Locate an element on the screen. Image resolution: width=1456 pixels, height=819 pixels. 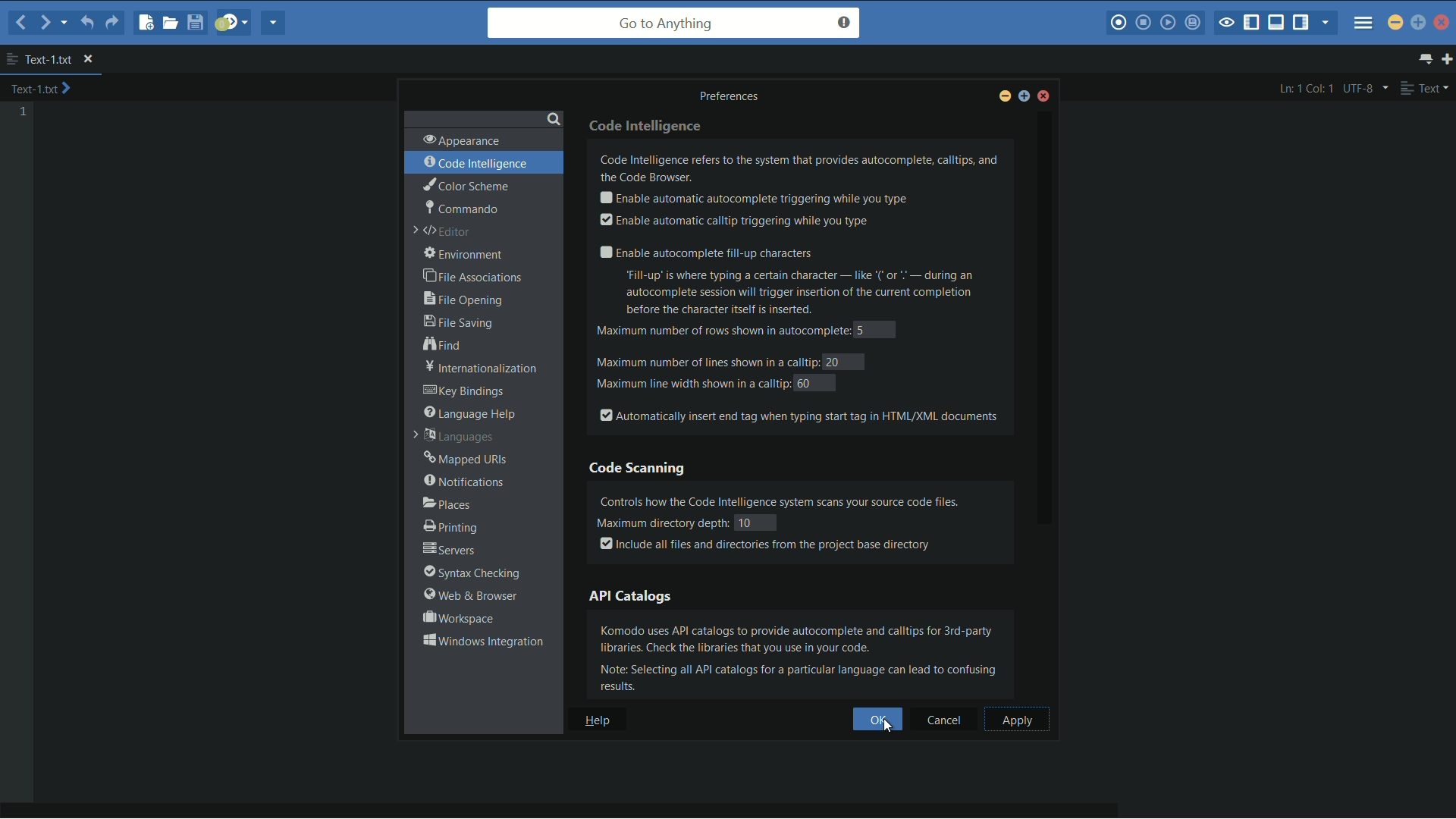
toggle focus mode is located at coordinates (1226, 24).